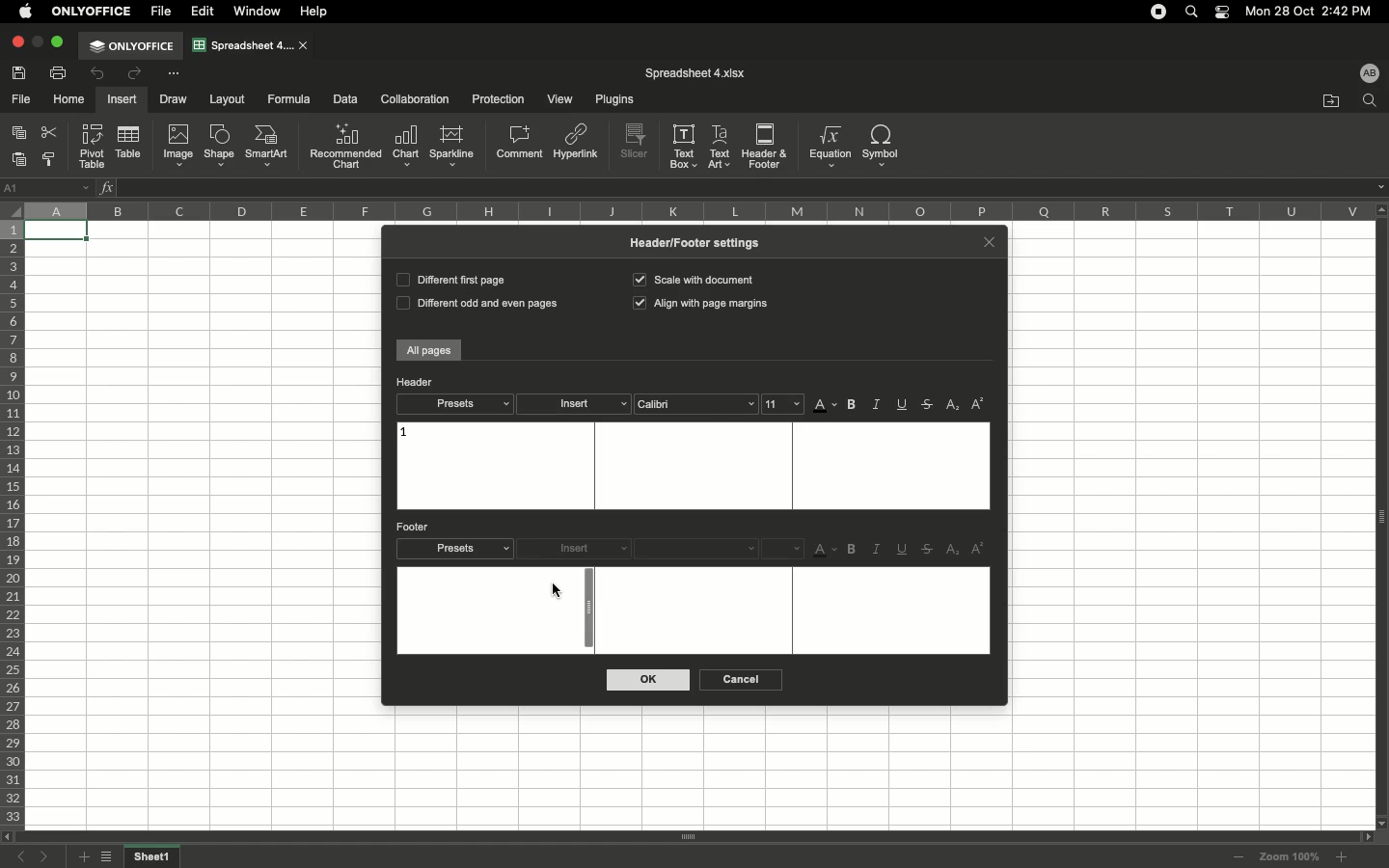 The height and width of the screenshot is (868, 1389). Describe the element at coordinates (1380, 209) in the screenshot. I see `scroll up` at that location.